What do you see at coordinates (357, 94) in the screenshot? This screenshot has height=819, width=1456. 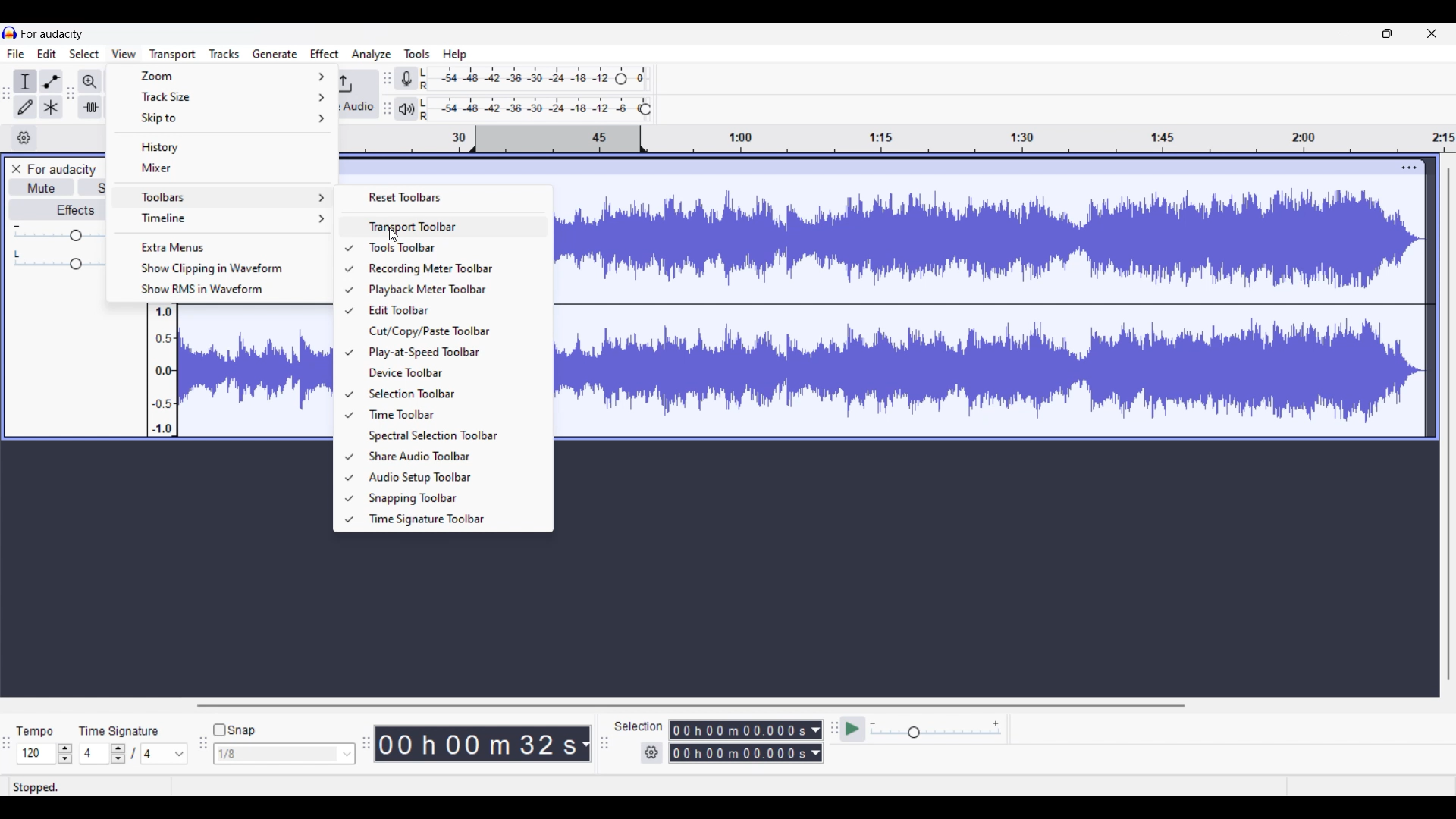 I see `Share audio` at bounding box center [357, 94].